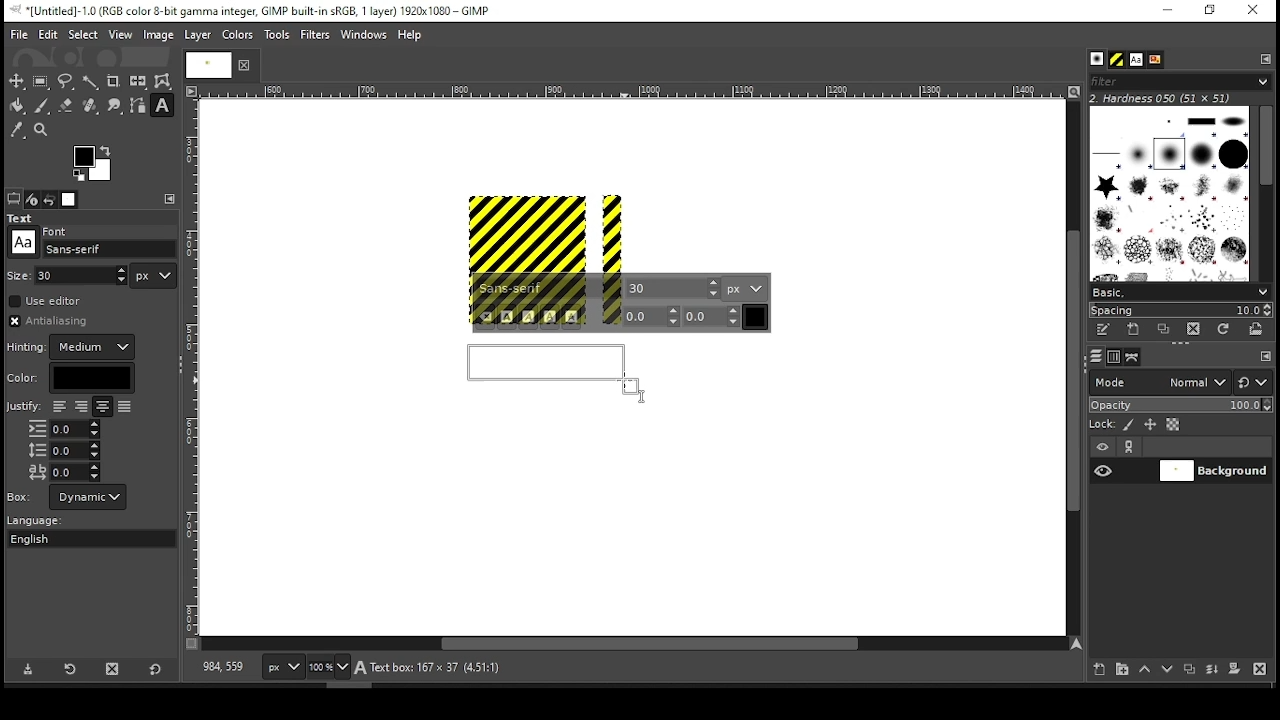 The image size is (1280, 720). Describe the element at coordinates (1095, 667) in the screenshot. I see `new layer` at that location.